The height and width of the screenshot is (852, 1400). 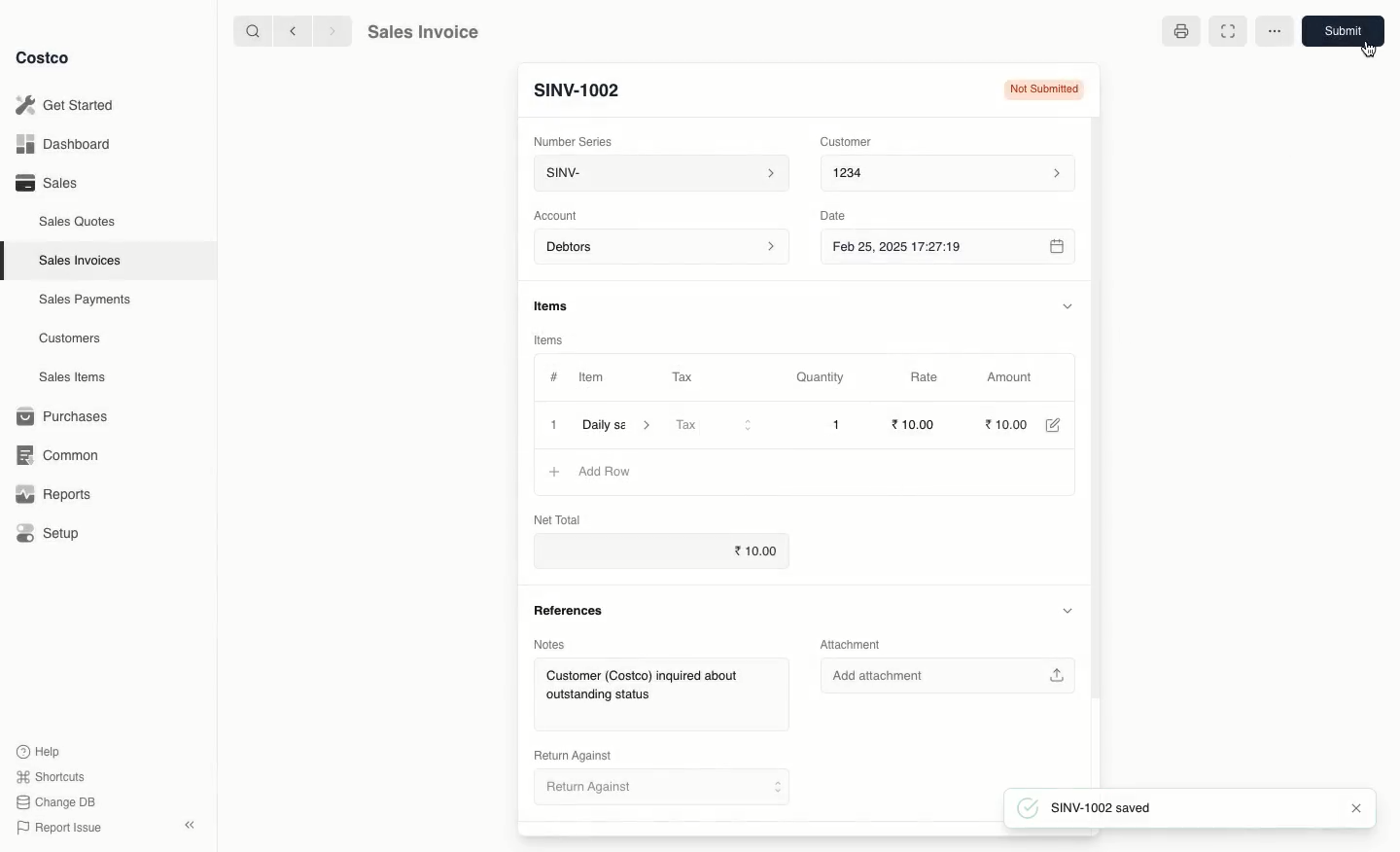 What do you see at coordinates (68, 142) in the screenshot?
I see `Dashboard` at bounding box center [68, 142].